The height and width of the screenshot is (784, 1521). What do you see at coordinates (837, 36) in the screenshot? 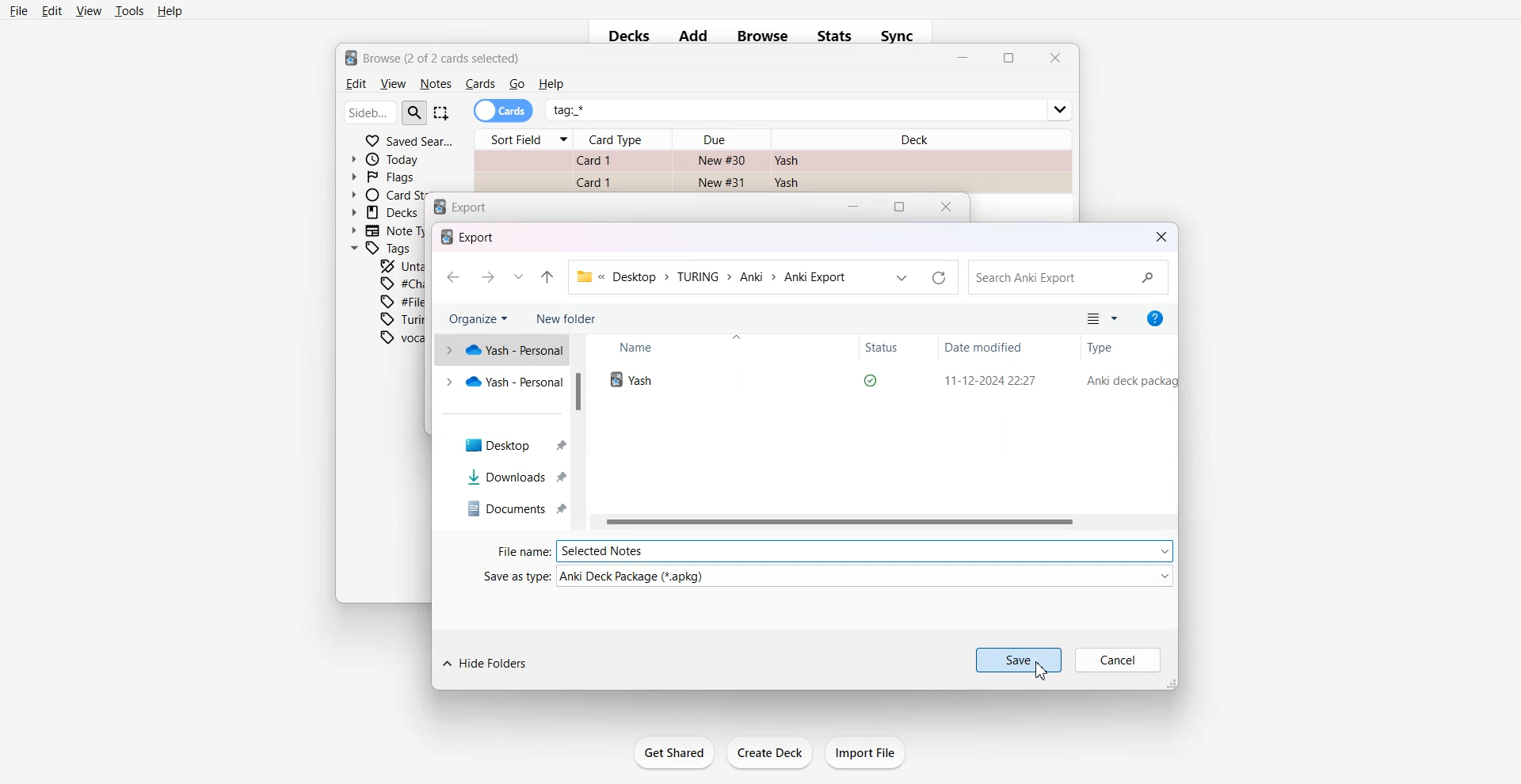
I see `Stats` at bounding box center [837, 36].